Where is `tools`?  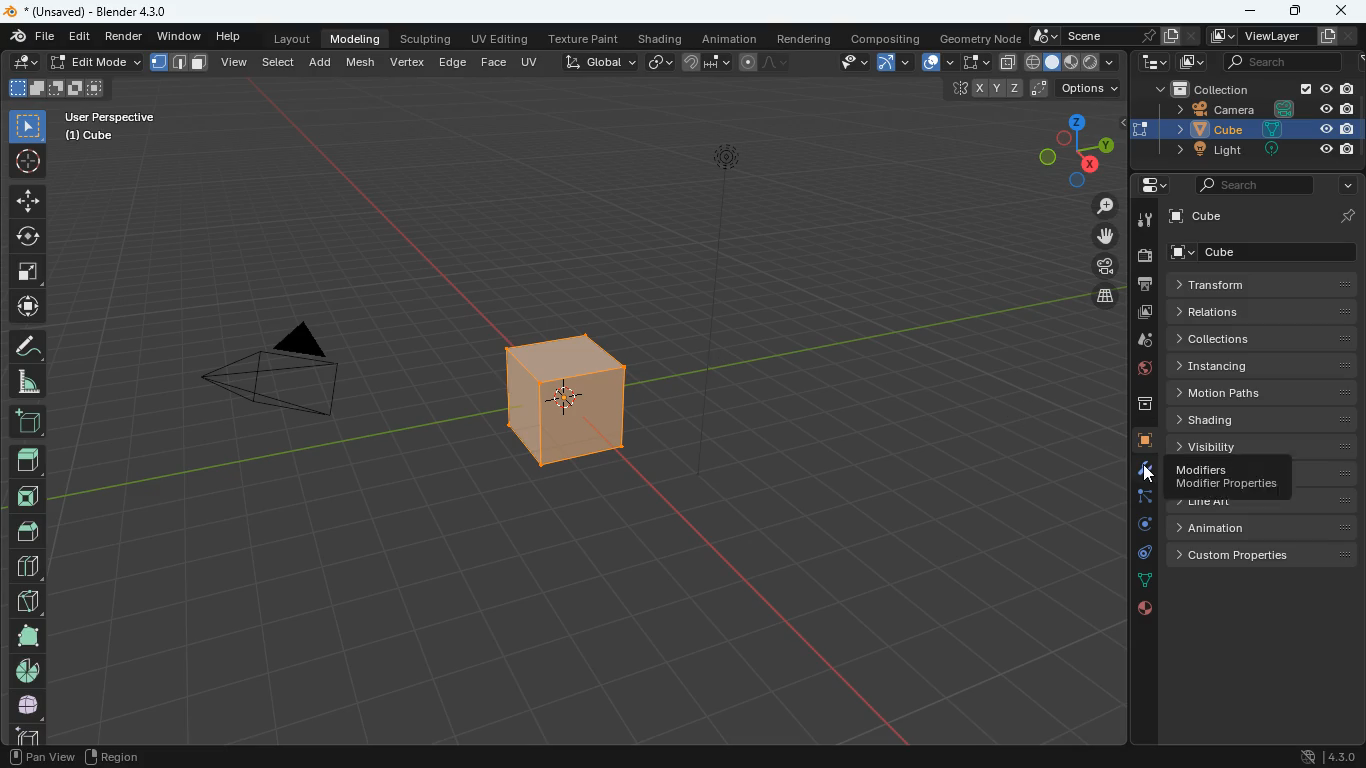
tools is located at coordinates (1142, 220).